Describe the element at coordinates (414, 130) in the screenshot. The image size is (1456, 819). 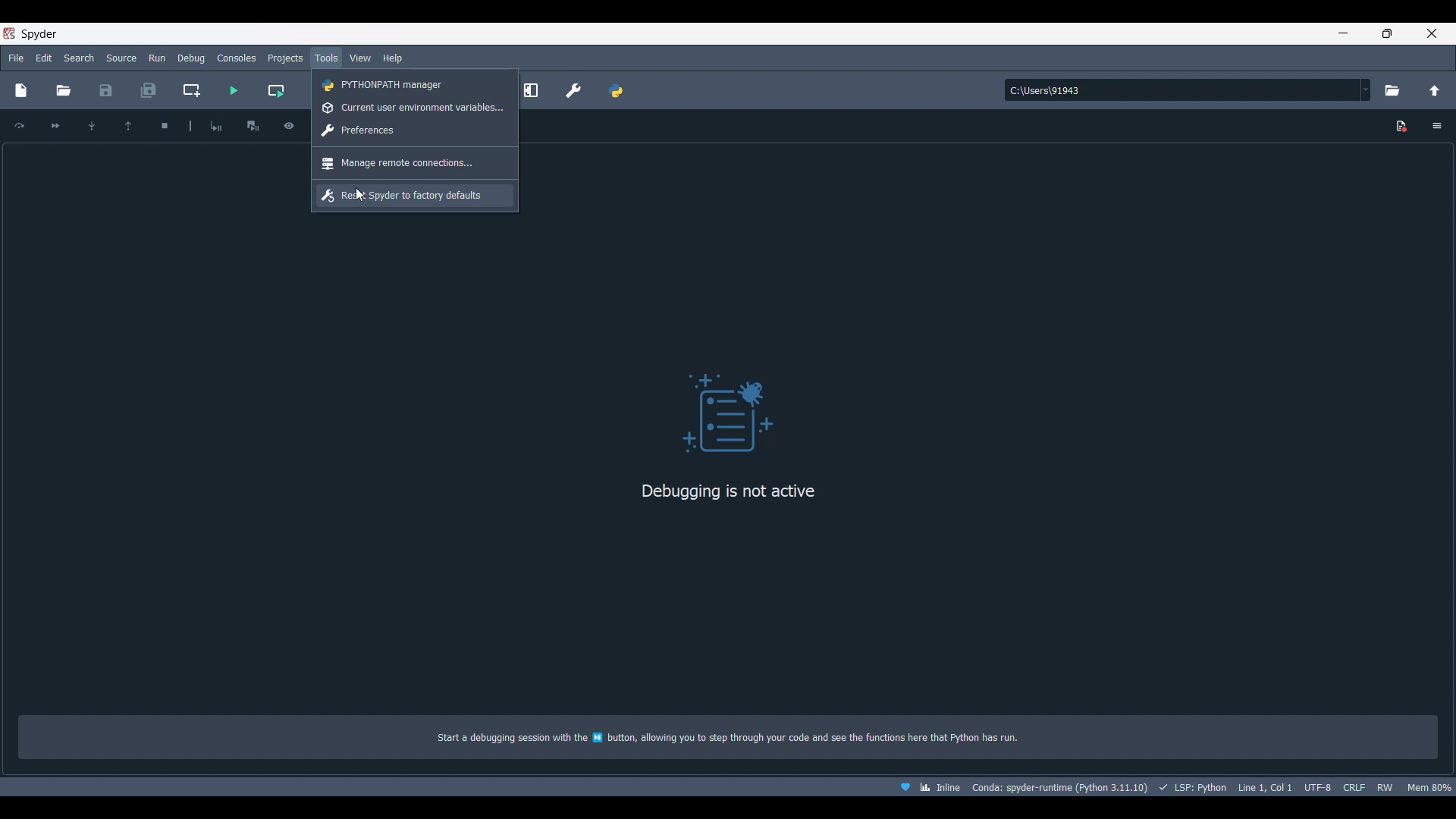
I see `Preferences` at that location.